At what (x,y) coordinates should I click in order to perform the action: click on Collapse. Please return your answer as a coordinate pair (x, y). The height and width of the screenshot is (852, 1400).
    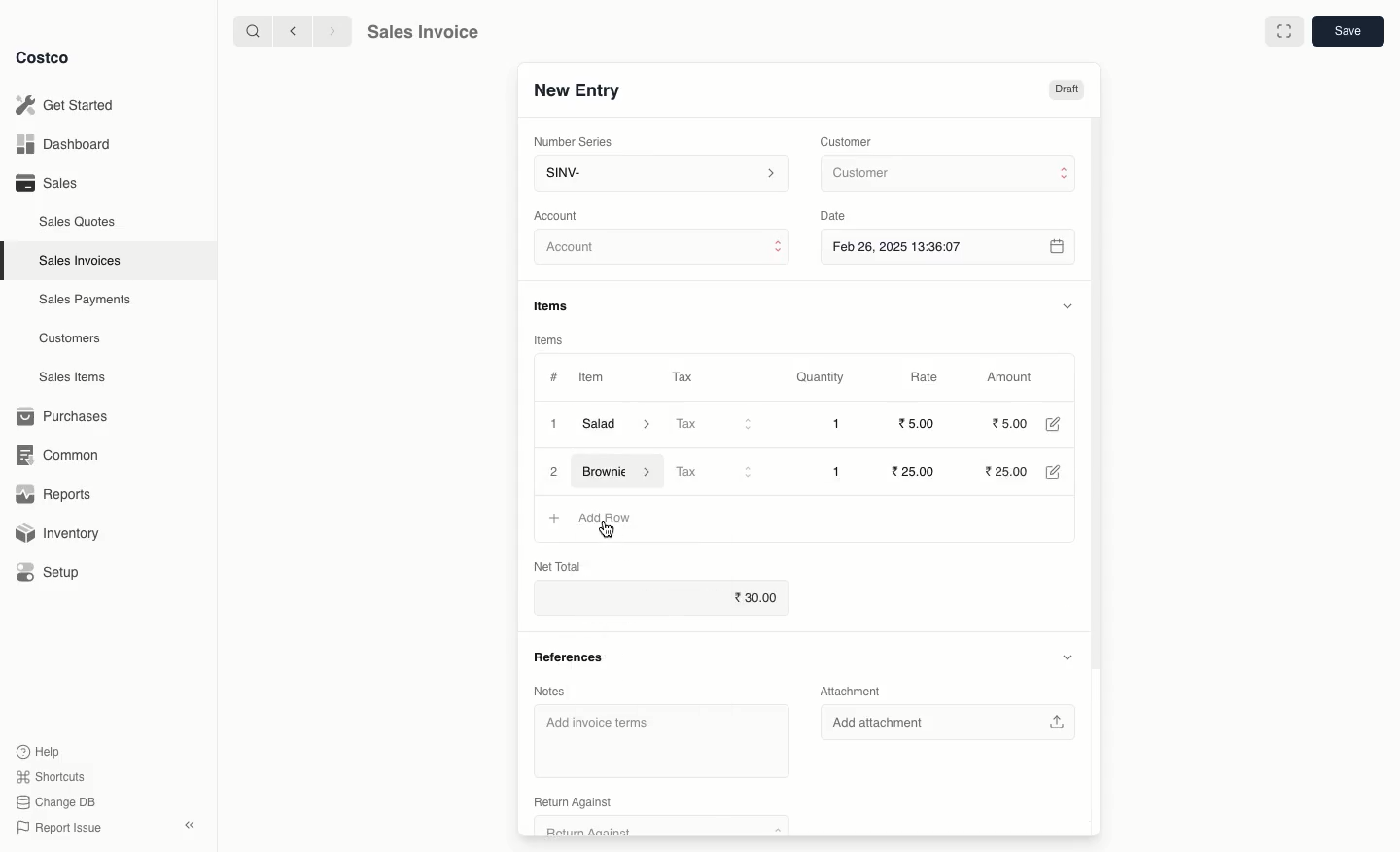
    Looking at the image, I should click on (192, 826).